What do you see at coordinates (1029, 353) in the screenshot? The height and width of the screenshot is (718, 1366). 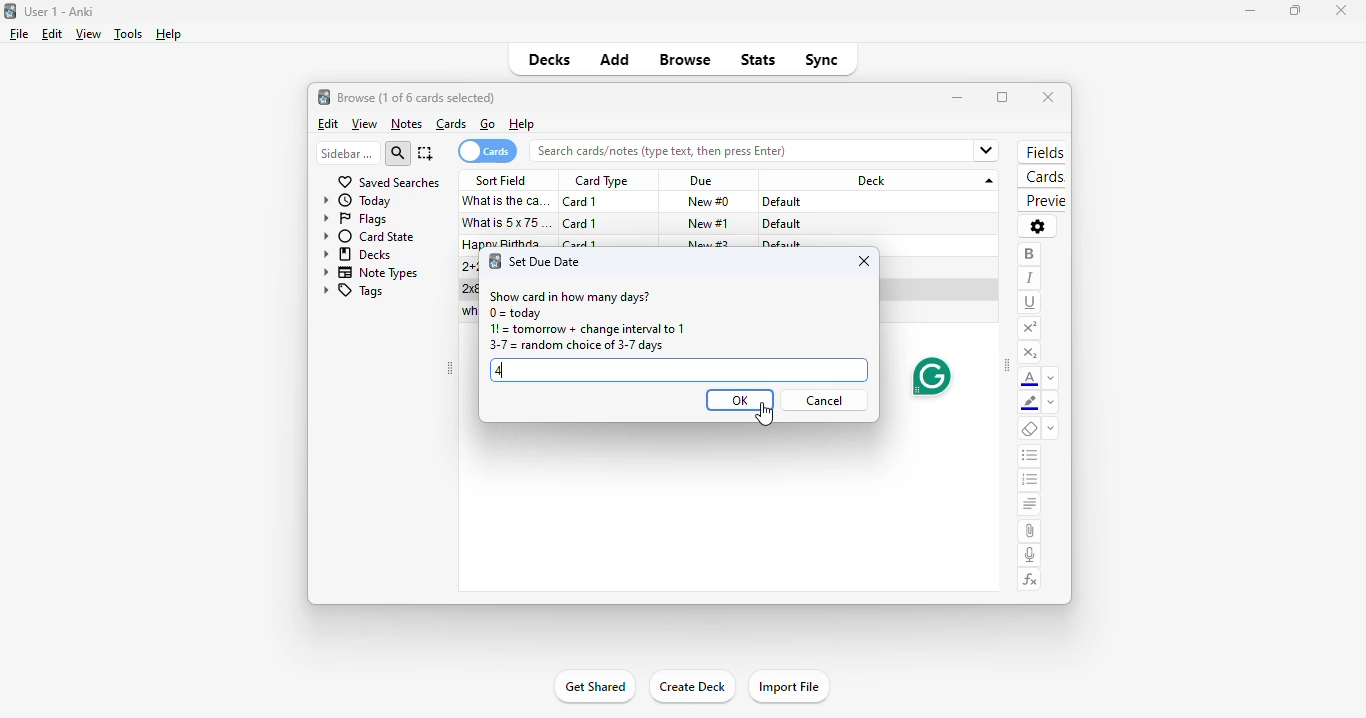 I see `subscript` at bounding box center [1029, 353].